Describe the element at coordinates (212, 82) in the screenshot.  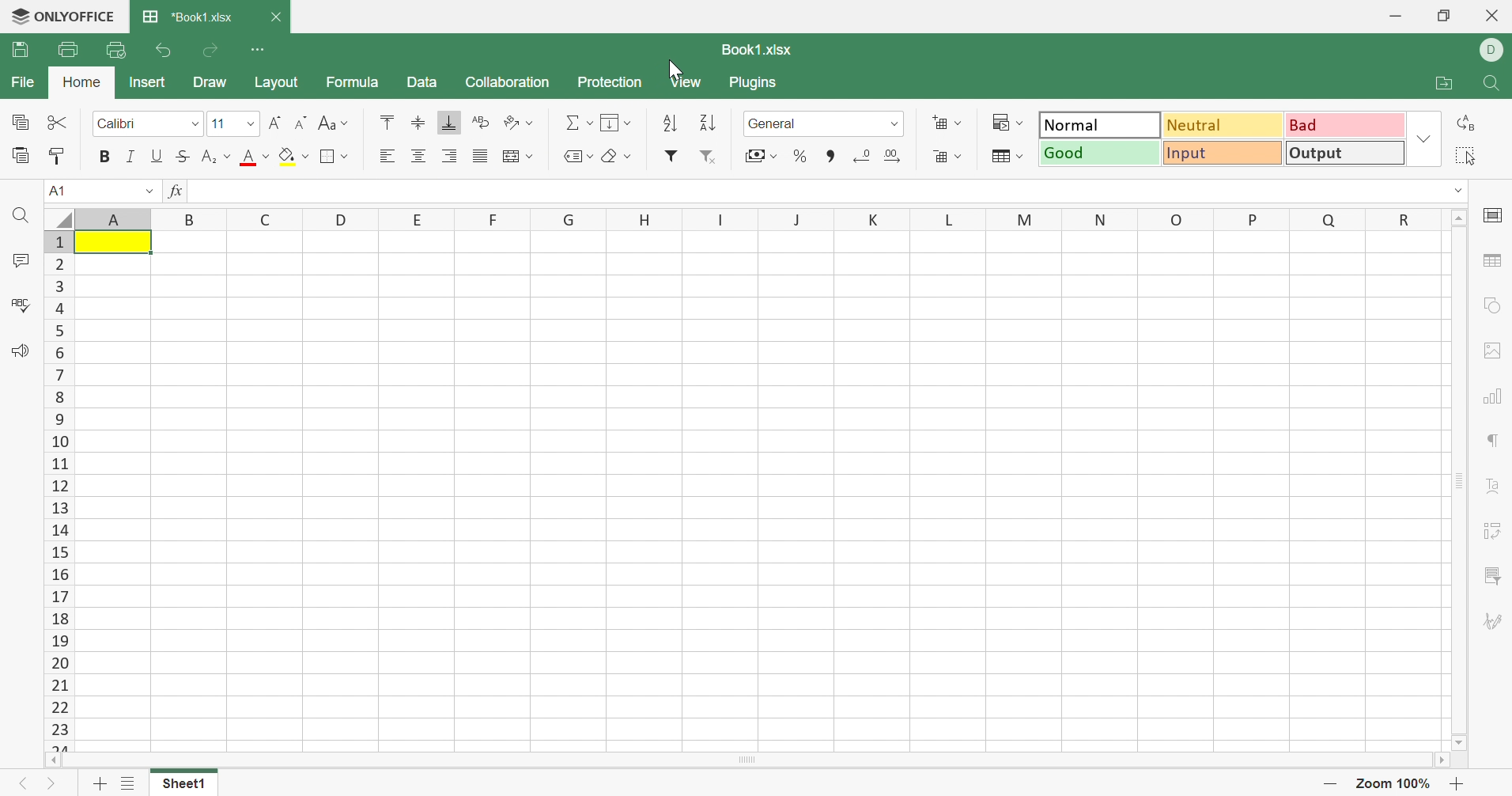
I see `Draw` at that location.